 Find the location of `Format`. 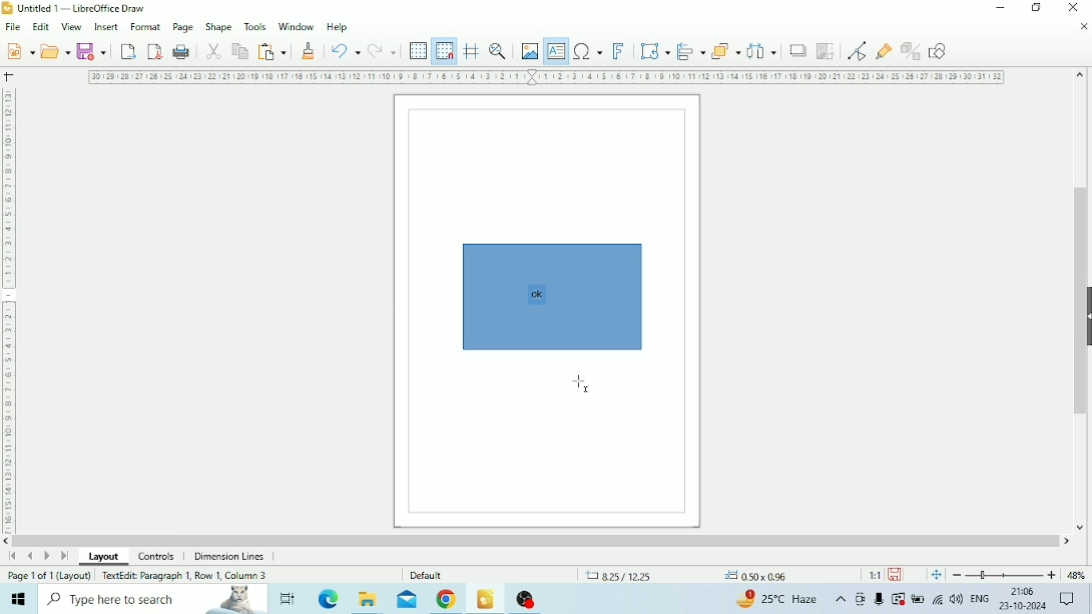

Format is located at coordinates (145, 26).